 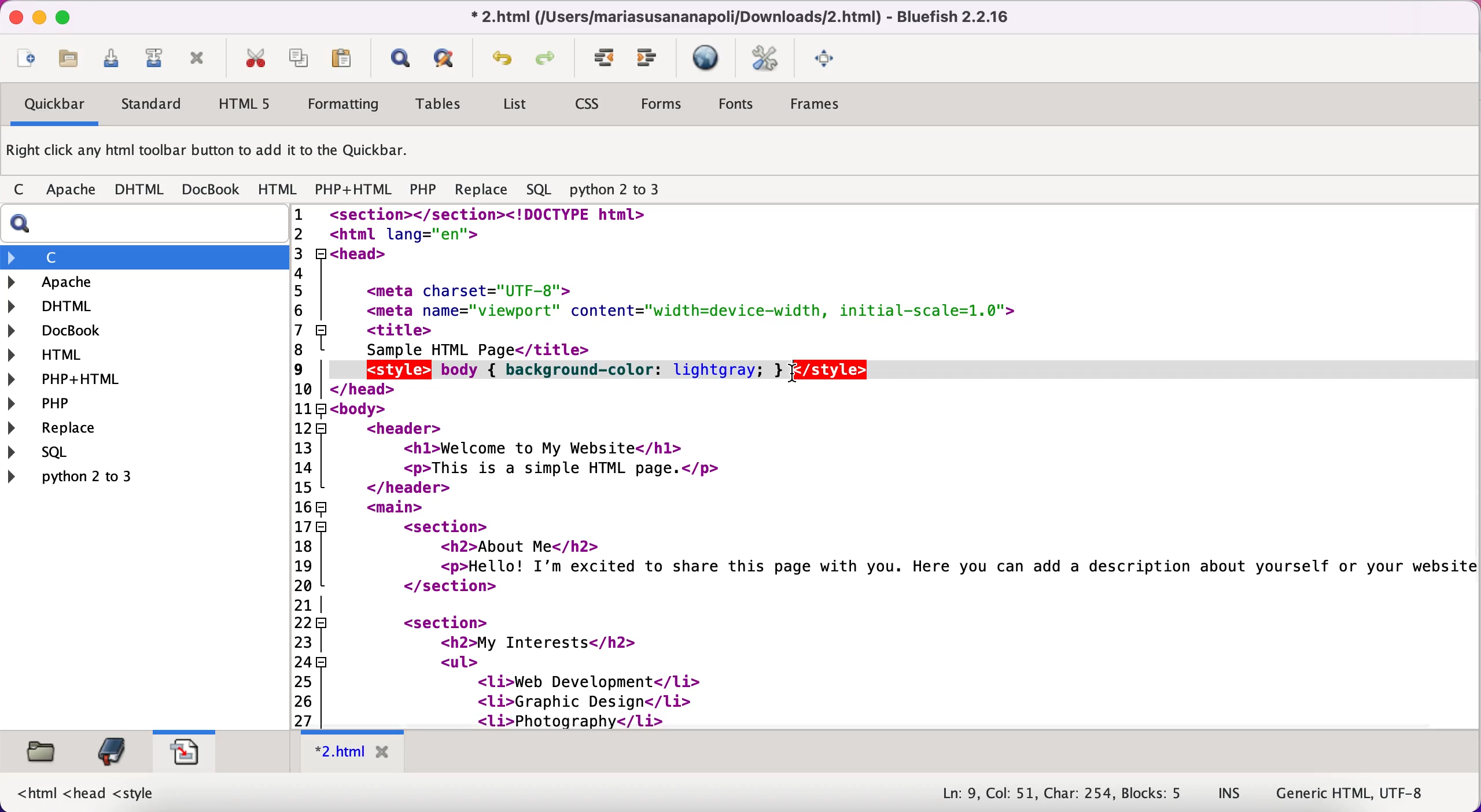 What do you see at coordinates (765, 60) in the screenshot?
I see `edit preferences` at bounding box center [765, 60].